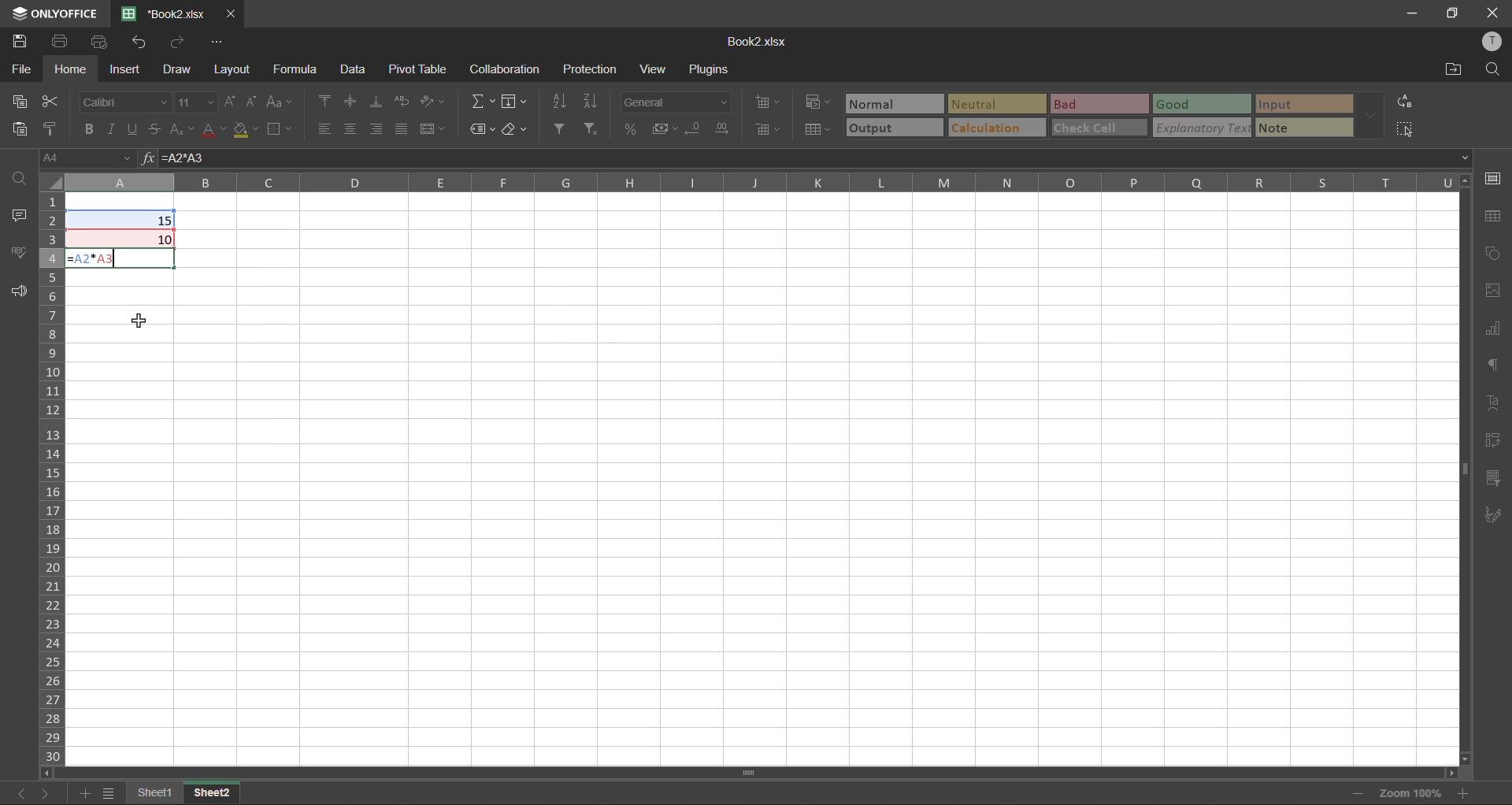 This screenshot has height=805, width=1512. Describe the element at coordinates (1406, 128) in the screenshot. I see `select all` at that location.